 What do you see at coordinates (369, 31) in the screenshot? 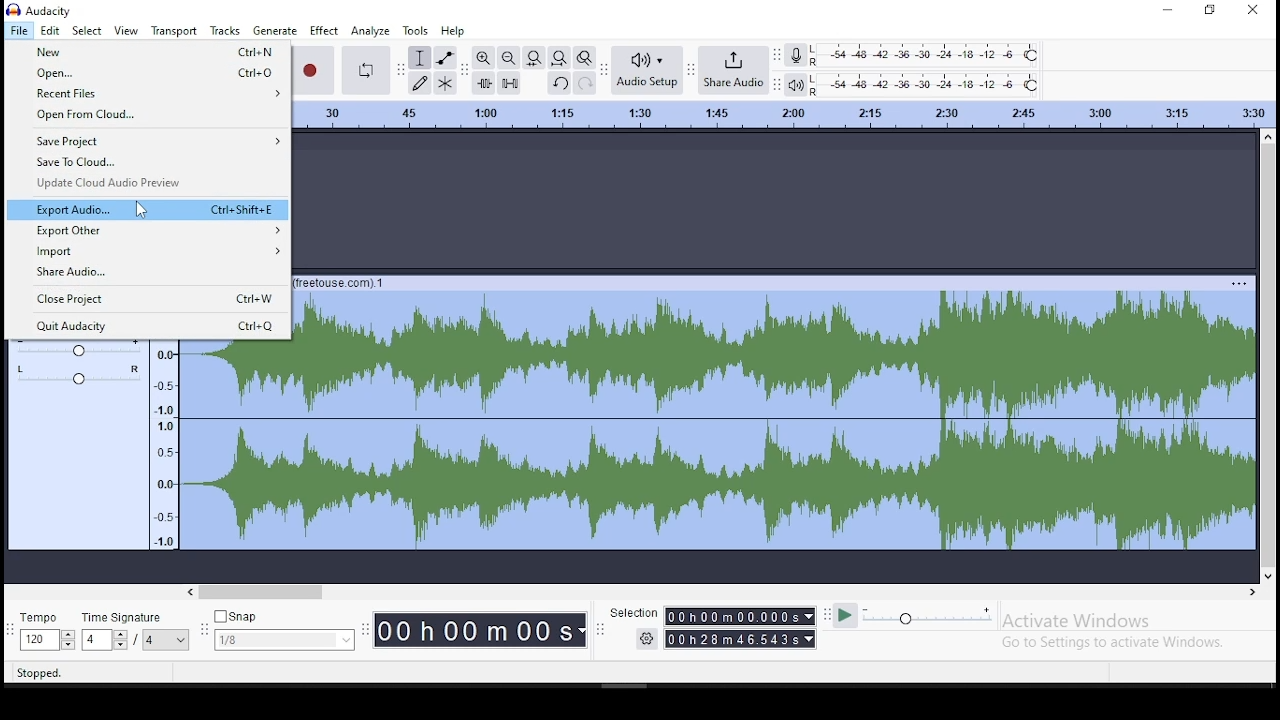
I see `analyze` at bounding box center [369, 31].